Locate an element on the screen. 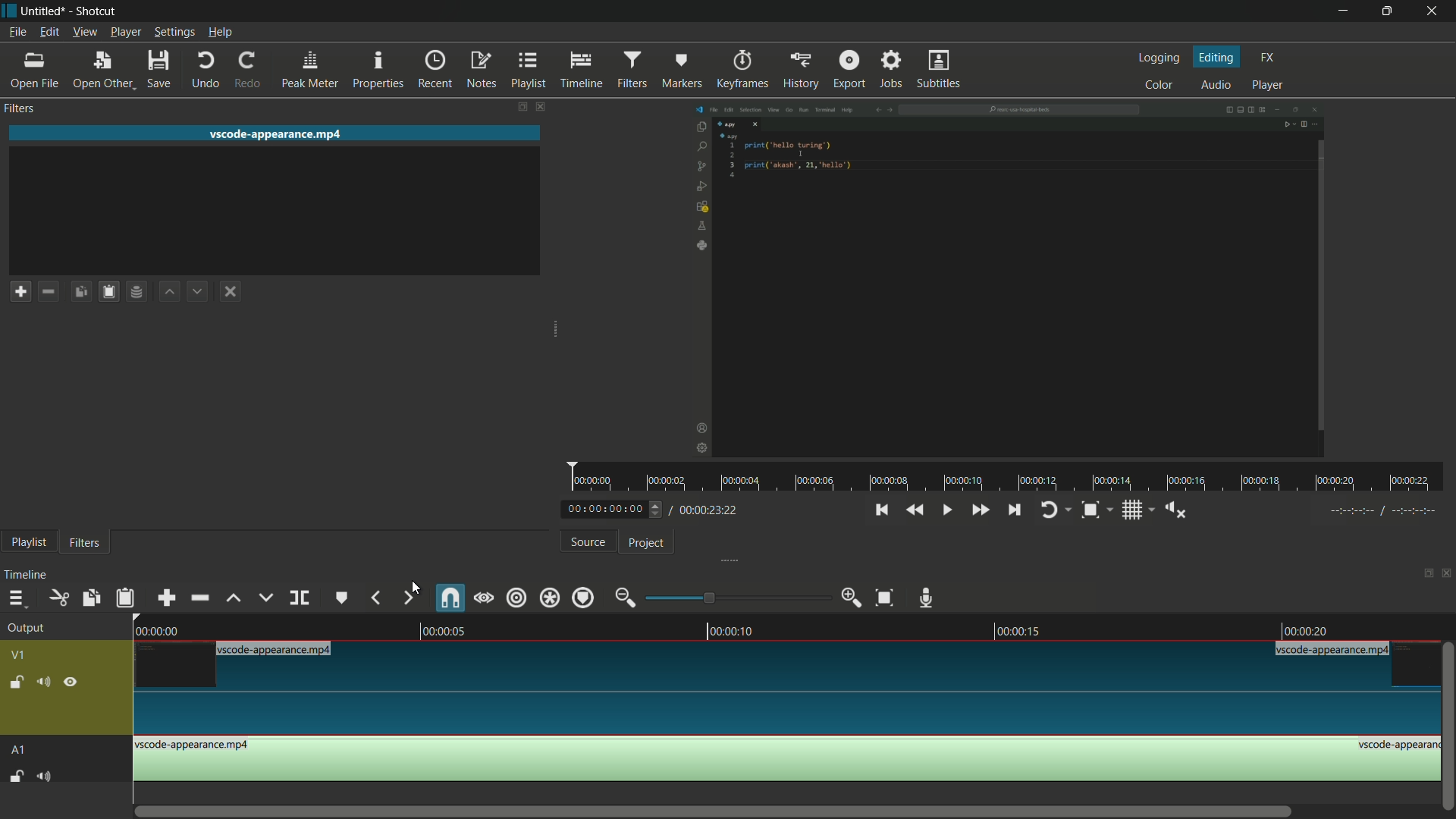 The height and width of the screenshot is (819, 1456). move filter down is located at coordinates (199, 292).